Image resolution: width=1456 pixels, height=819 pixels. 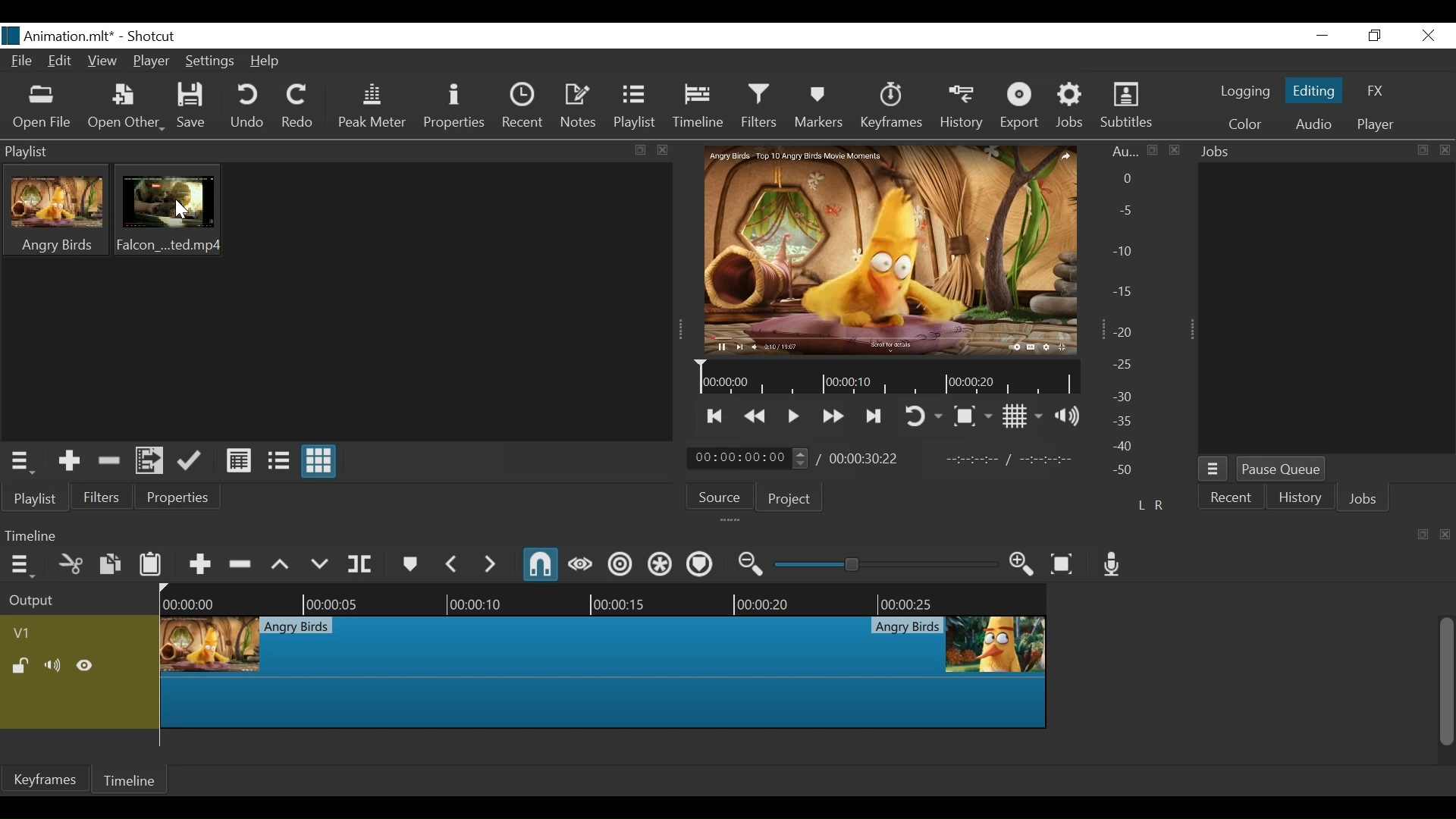 I want to click on Pause Queue, so click(x=1281, y=470).